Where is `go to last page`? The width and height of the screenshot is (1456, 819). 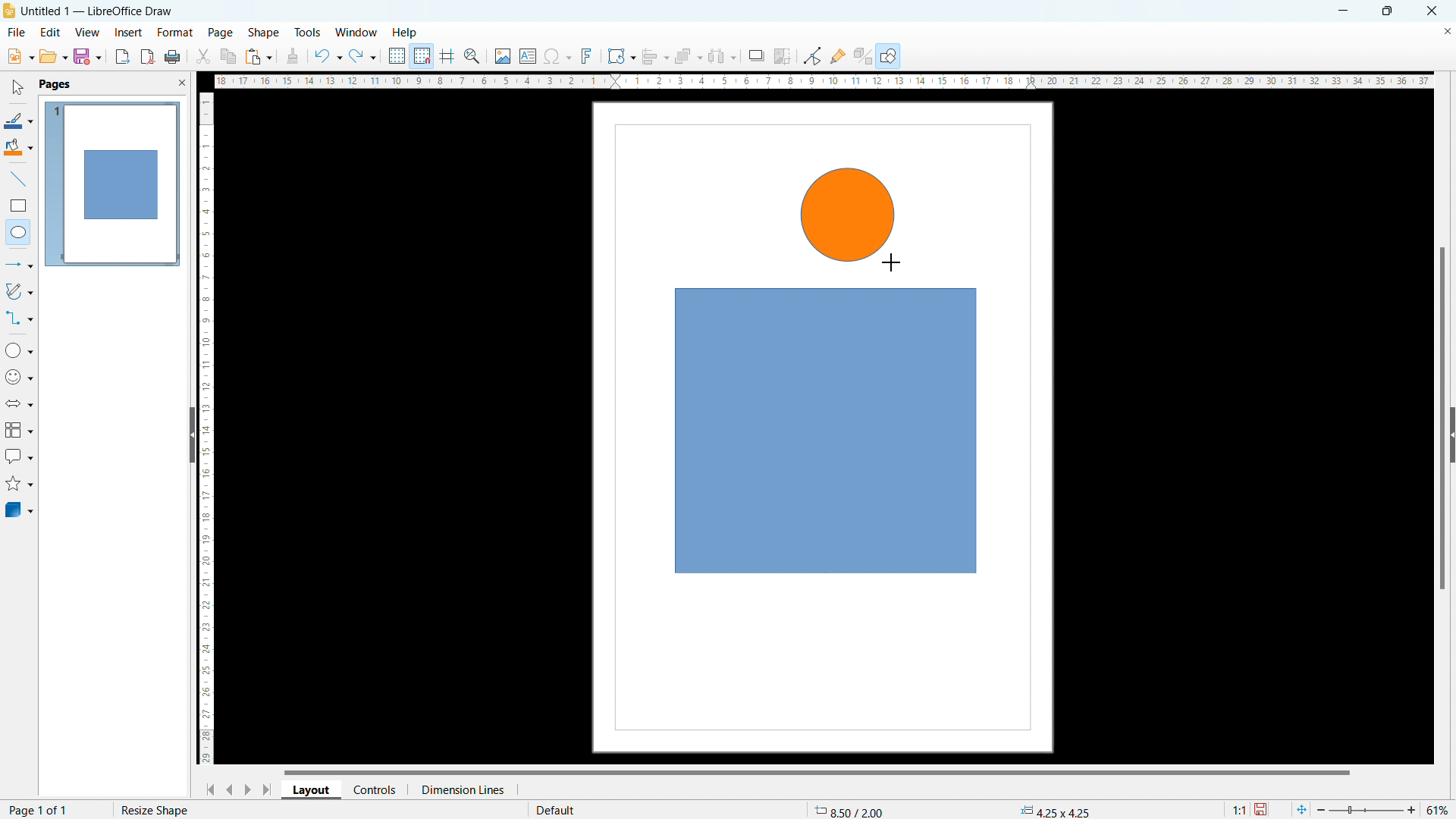 go to last page is located at coordinates (268, 789).